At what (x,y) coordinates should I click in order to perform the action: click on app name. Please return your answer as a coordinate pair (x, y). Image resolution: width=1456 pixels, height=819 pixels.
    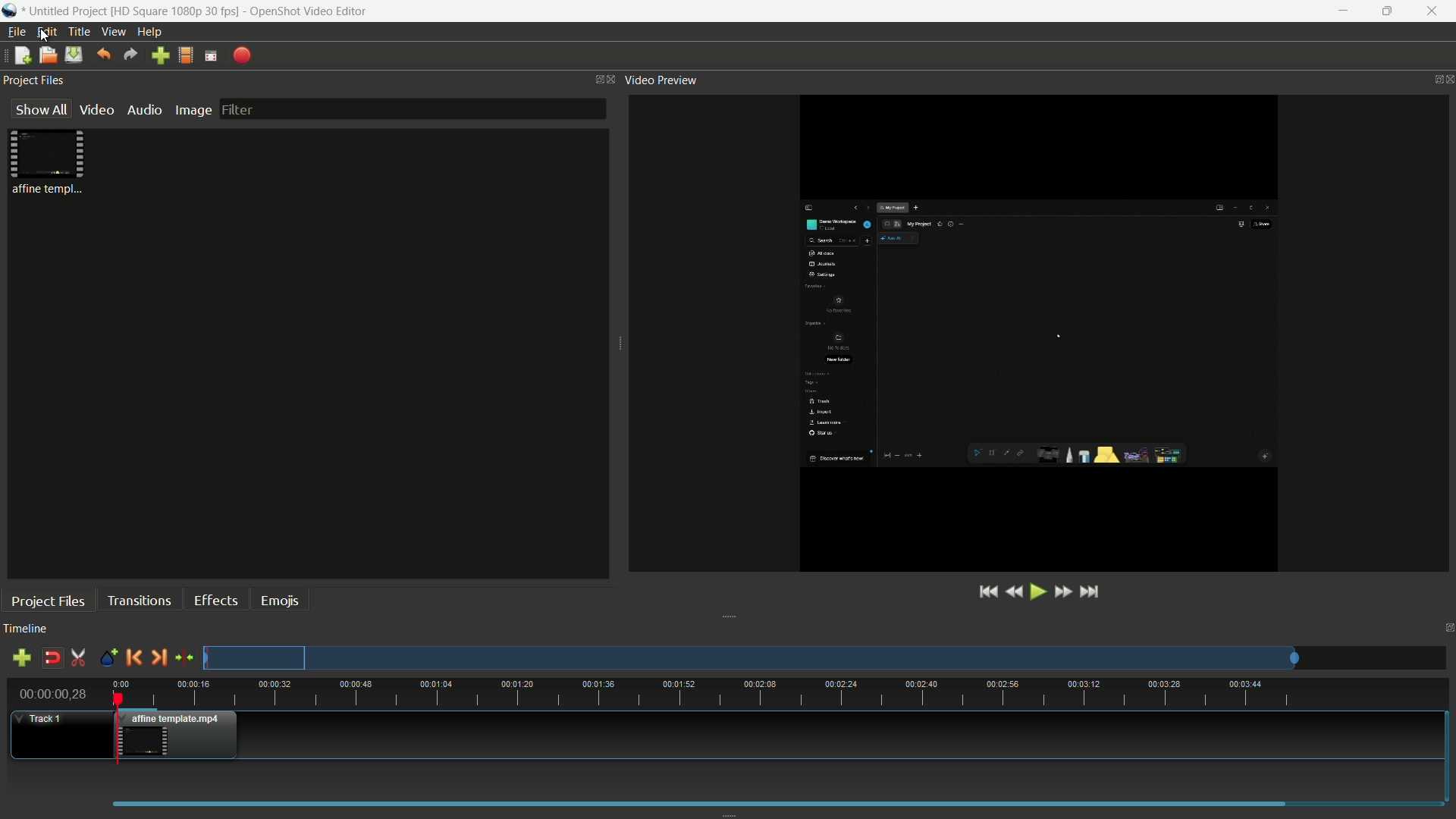
    Looking at the image, I should click on (308, 11).